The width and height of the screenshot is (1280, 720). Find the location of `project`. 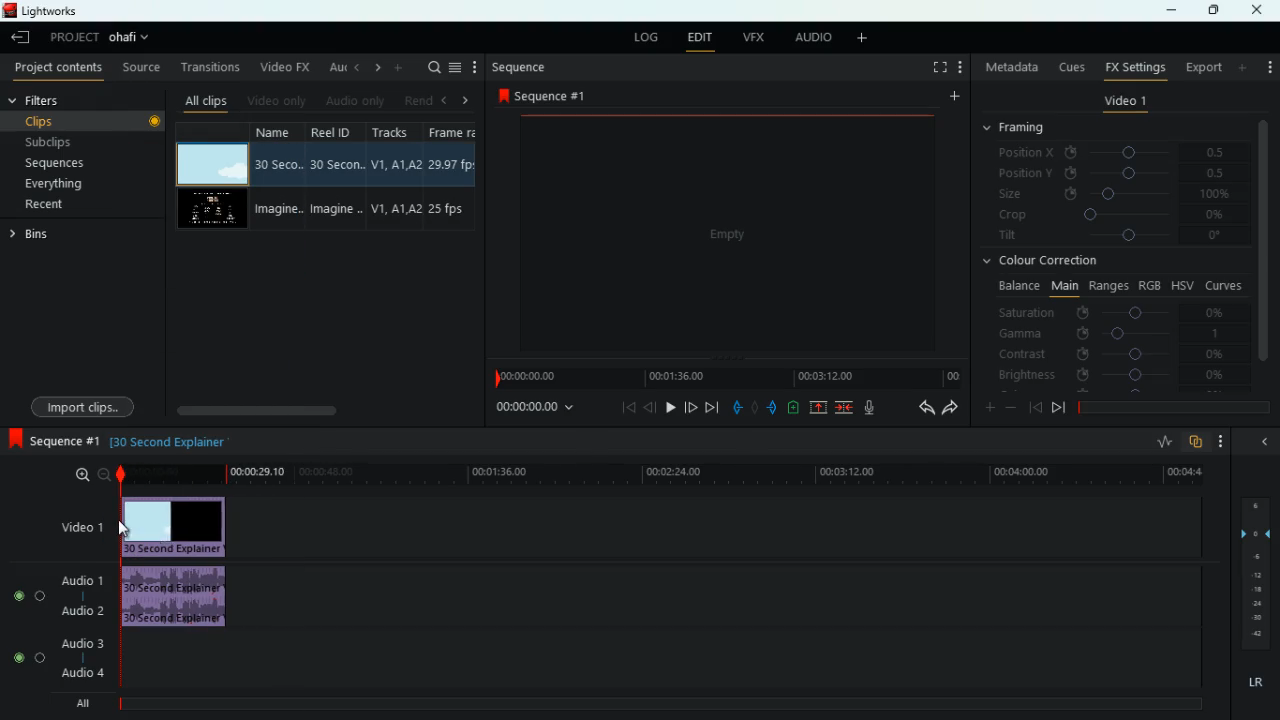

project is located at coordinates (102, 38).